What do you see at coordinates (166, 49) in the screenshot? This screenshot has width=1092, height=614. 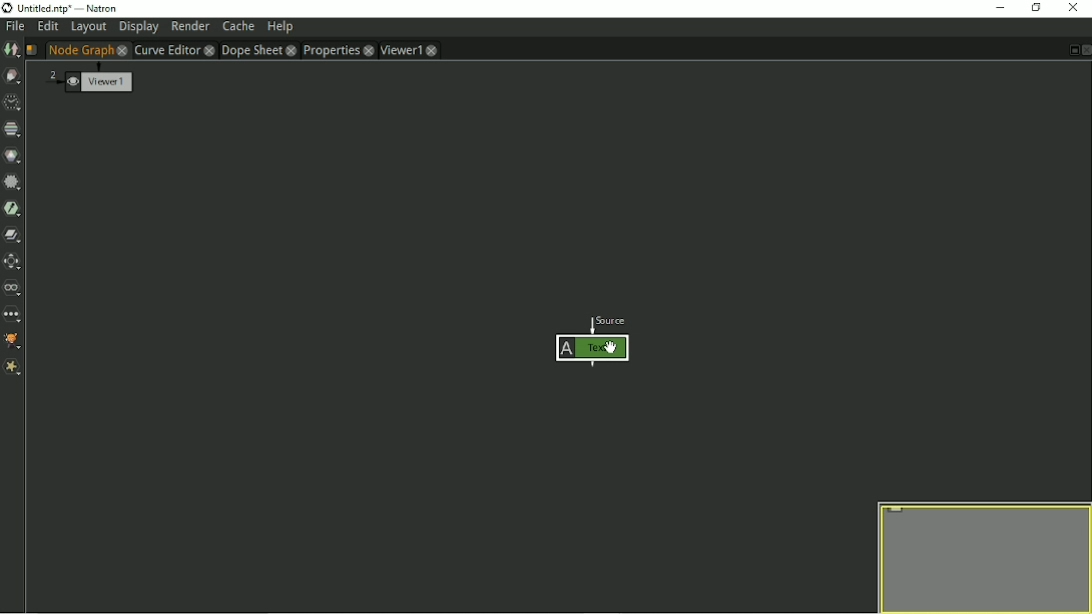 I see `Curve Editor` at bounding box center [166, 49].